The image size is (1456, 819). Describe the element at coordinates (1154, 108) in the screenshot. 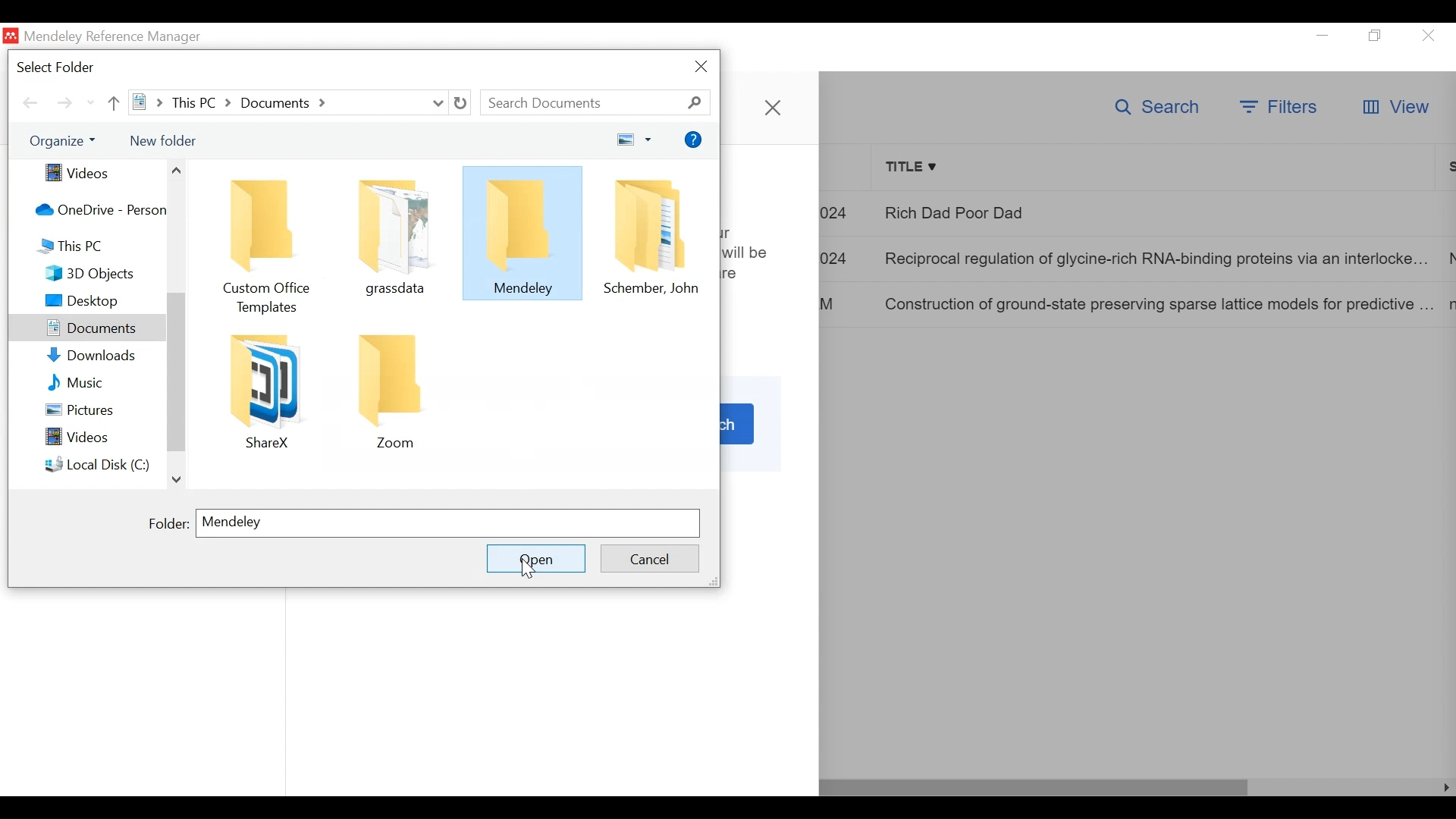

I see `Search` at that location.